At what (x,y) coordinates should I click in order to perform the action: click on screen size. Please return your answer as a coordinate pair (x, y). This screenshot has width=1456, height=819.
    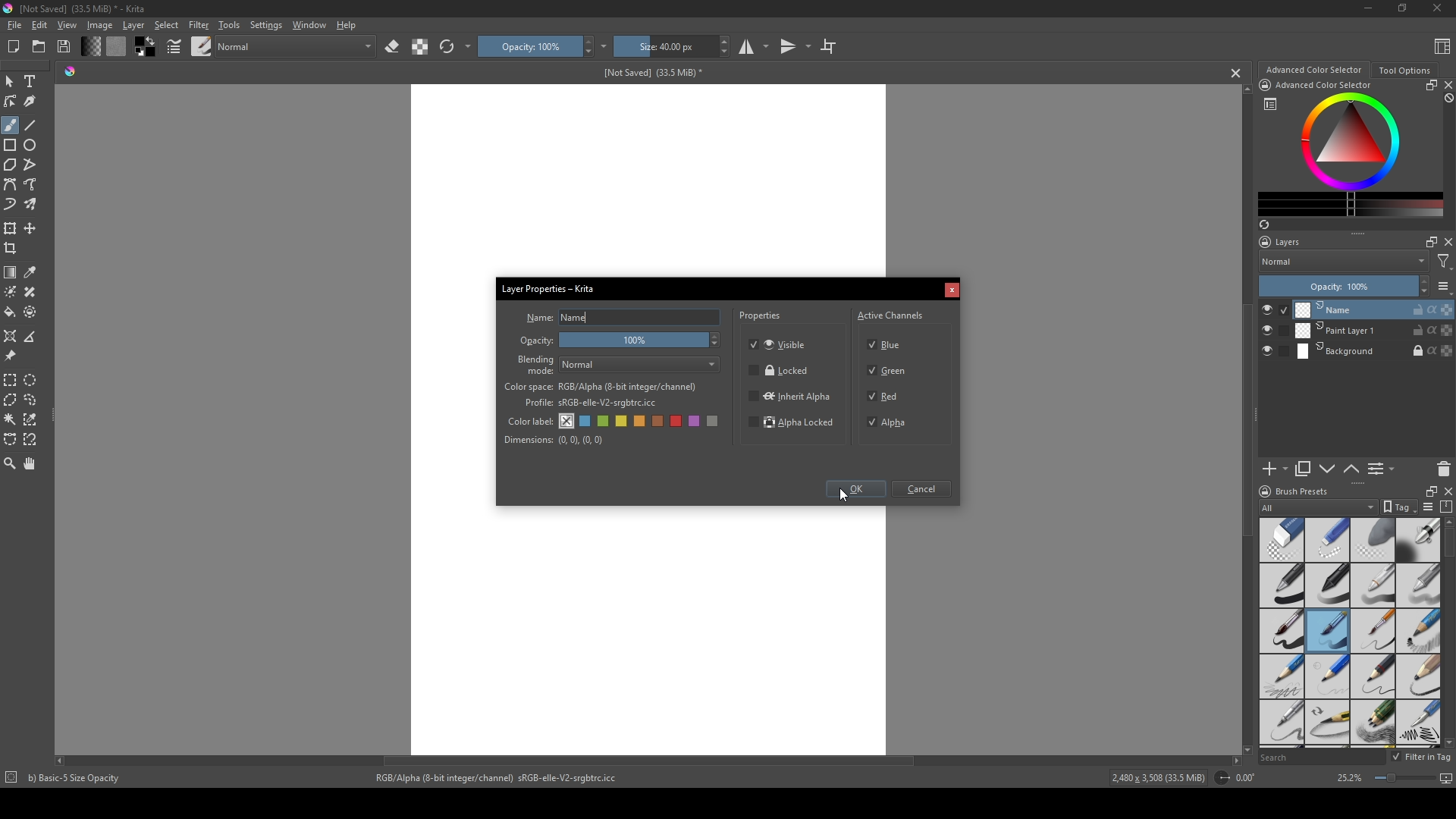
    Looking at the image, I should click on (1410, 780).